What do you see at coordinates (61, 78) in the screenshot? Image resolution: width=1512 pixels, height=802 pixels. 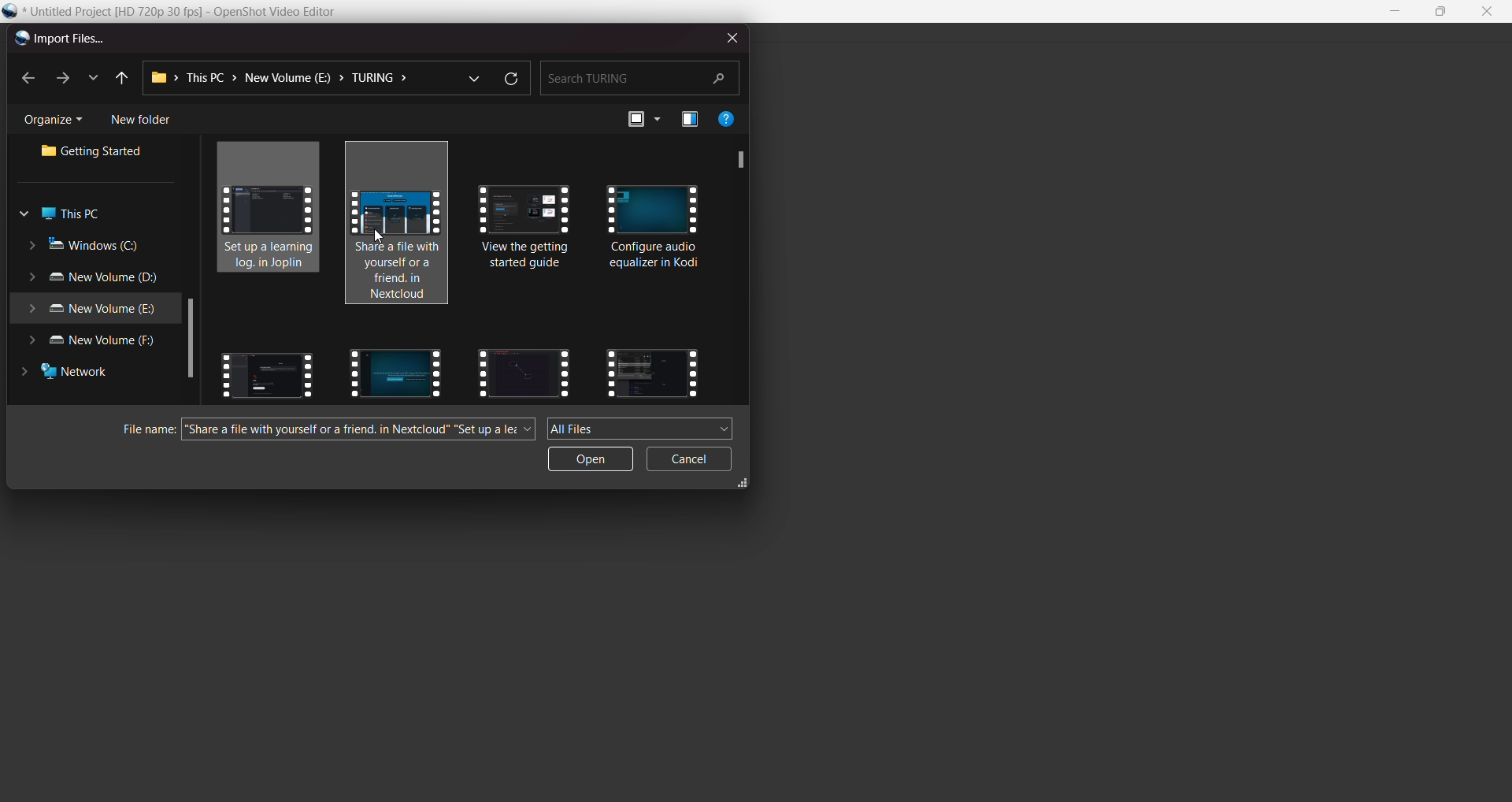 I see `next` at bounding box center [61, 78].